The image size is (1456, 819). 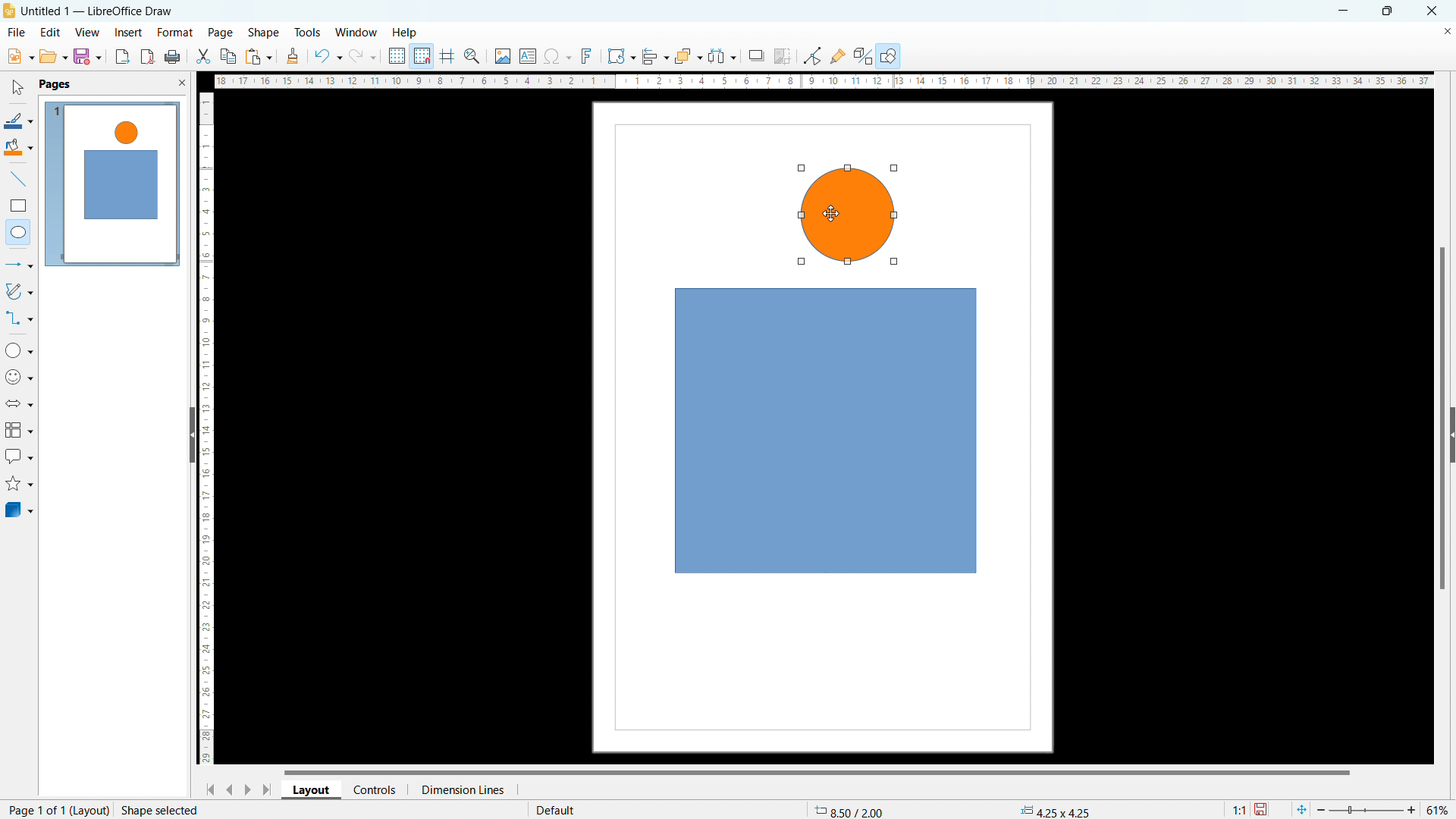 What do you see at coordinates (34, 809) in the screenshot?
I see `current page` at bounding box center [34, 809].